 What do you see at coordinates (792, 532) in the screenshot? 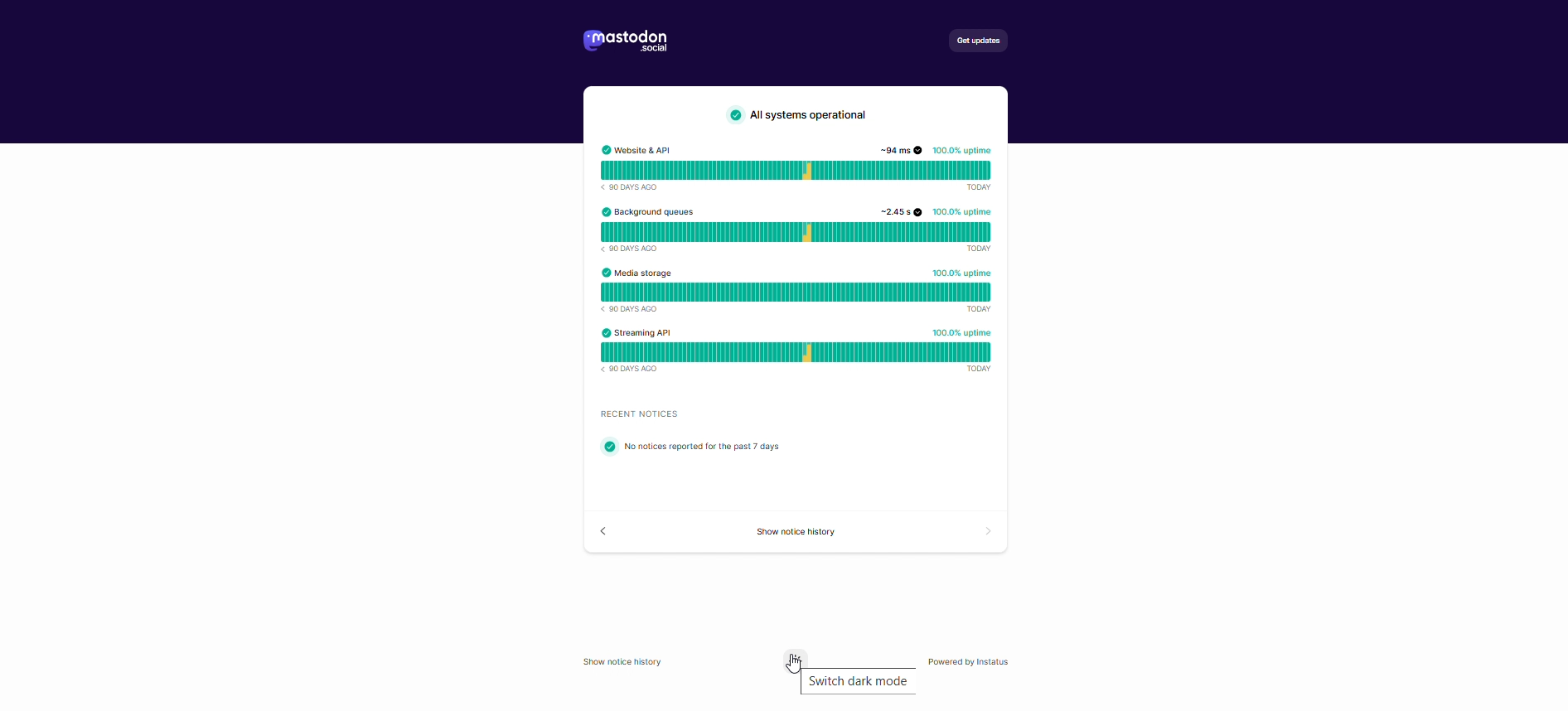
I see `show source code` at bounding box center [792, 532].